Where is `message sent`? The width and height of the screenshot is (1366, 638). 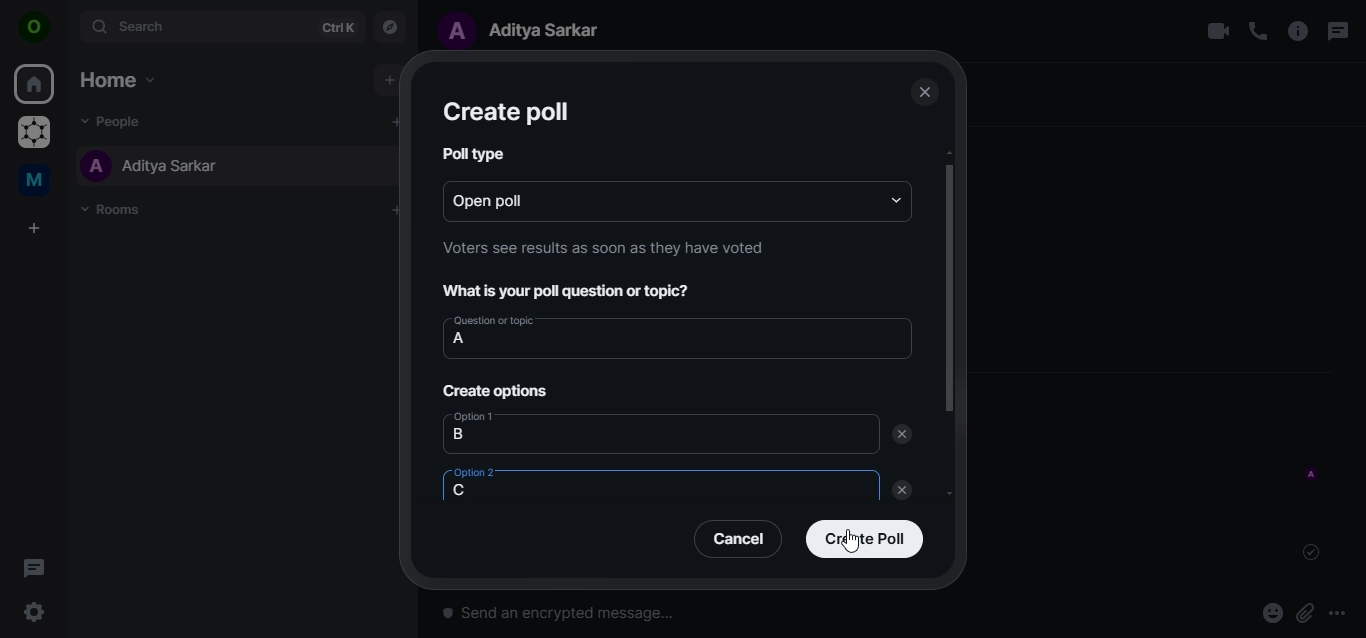
message sent is located at coordinates (1313, 552).